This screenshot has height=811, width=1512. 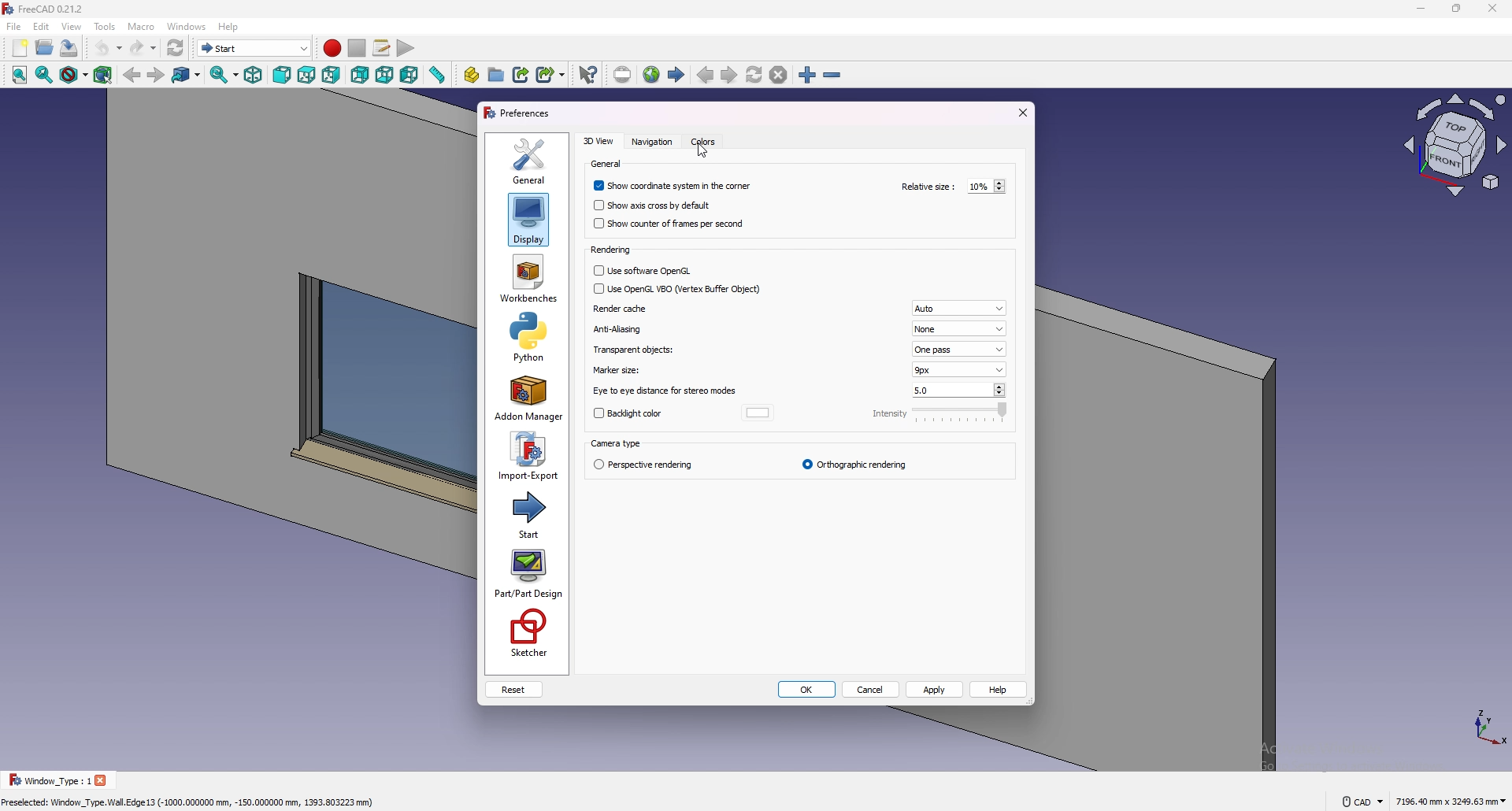 What do you see at coordinates (528, 398) in the screenshot?
I see `add on manager` at bounding box center [528, 398].